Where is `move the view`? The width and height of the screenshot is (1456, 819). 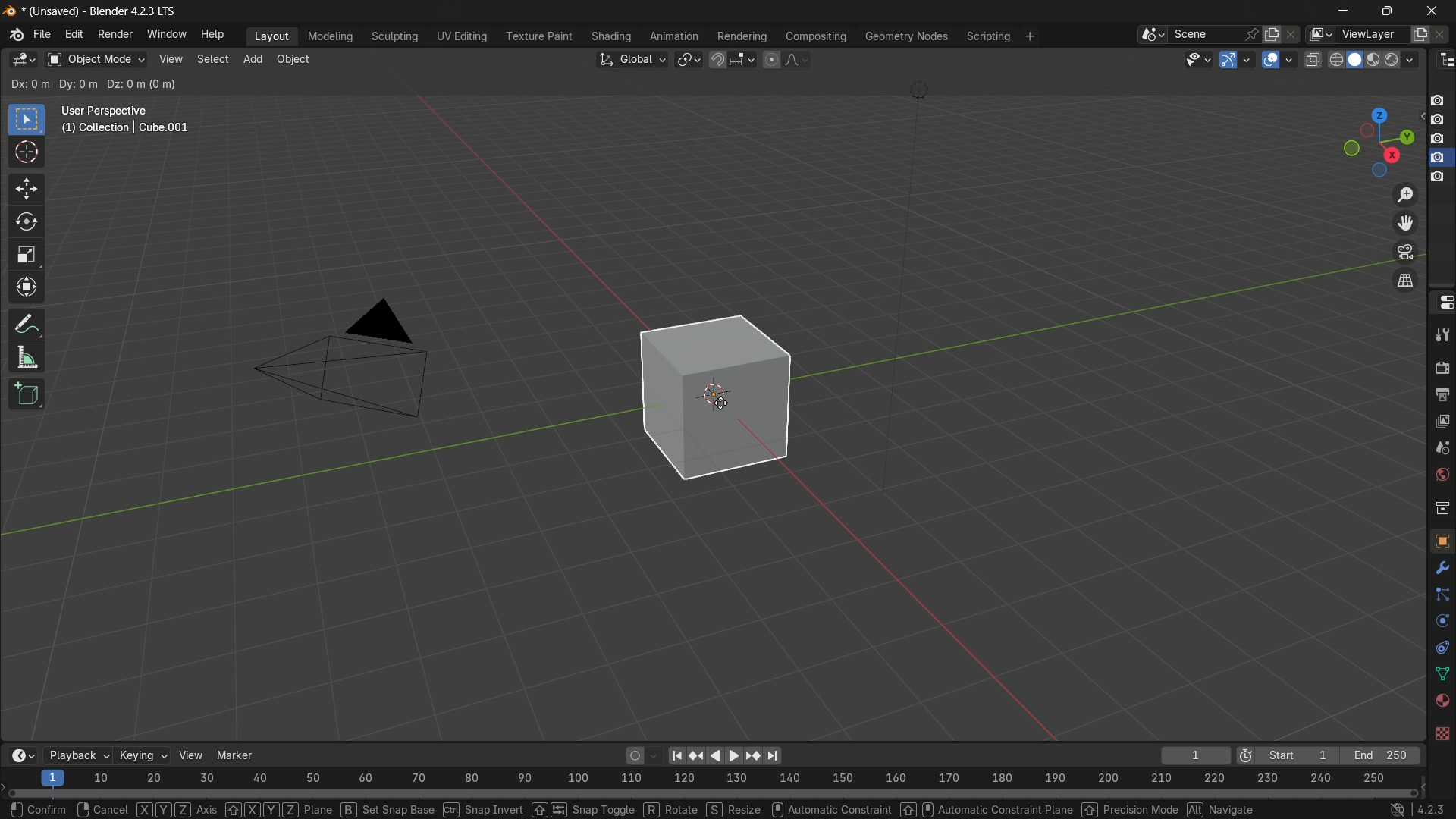 move the view is located at coordinates (1408, 224).